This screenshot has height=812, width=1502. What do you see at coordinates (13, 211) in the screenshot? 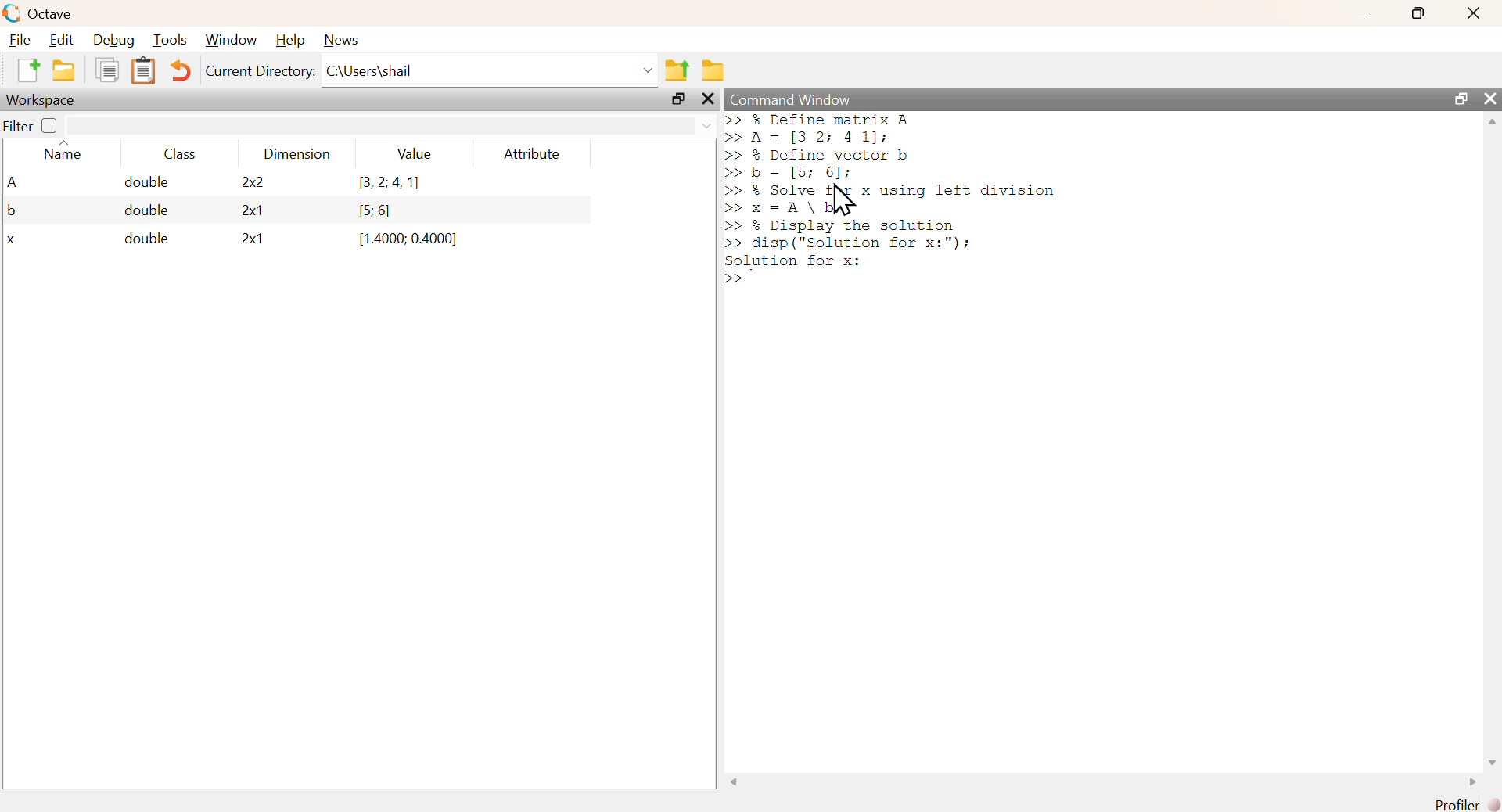
I see `b` at bounding box center [13, 211].